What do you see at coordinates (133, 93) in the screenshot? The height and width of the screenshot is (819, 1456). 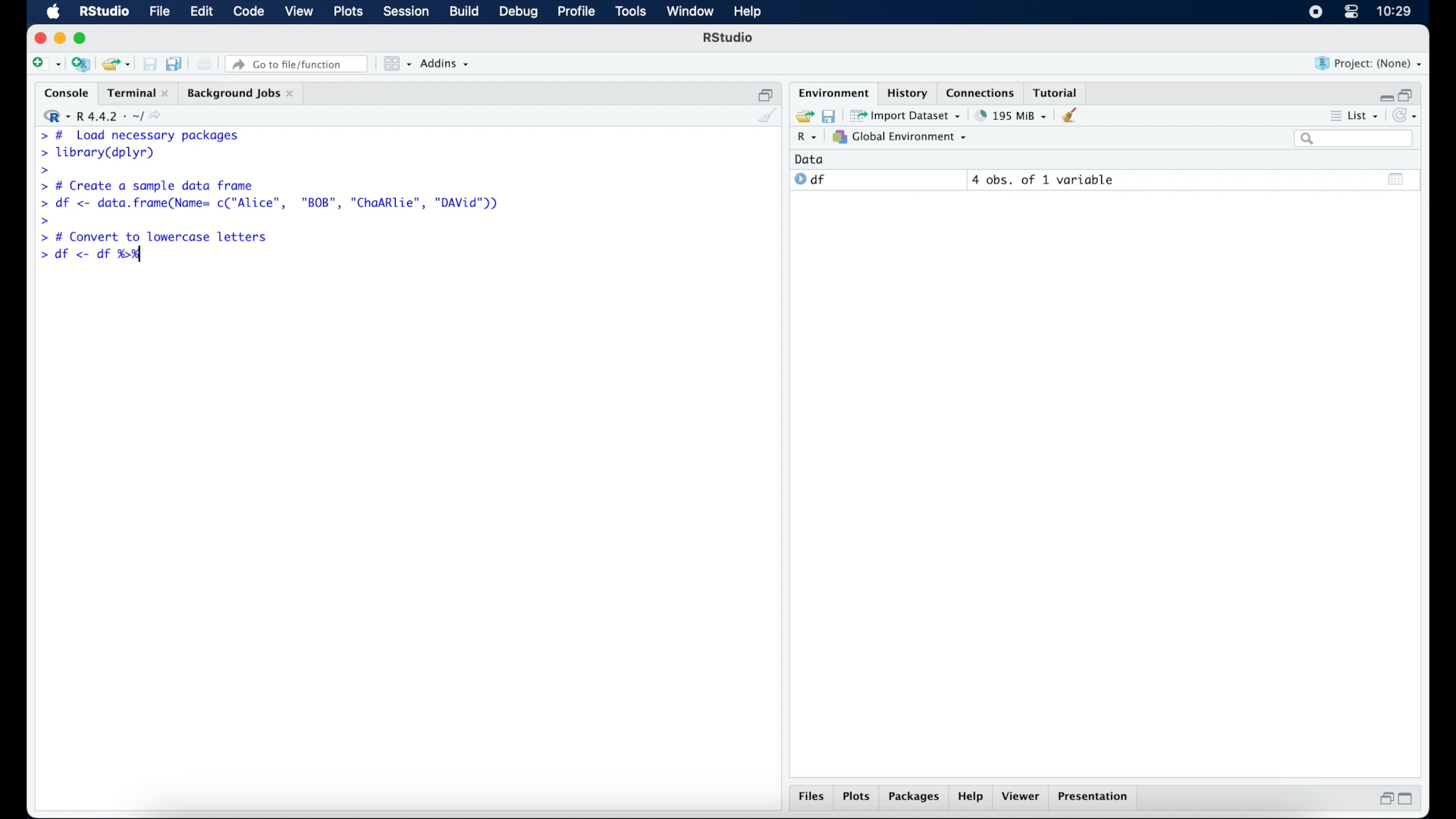 I see `Terminal` at bounding box center [133, 93].